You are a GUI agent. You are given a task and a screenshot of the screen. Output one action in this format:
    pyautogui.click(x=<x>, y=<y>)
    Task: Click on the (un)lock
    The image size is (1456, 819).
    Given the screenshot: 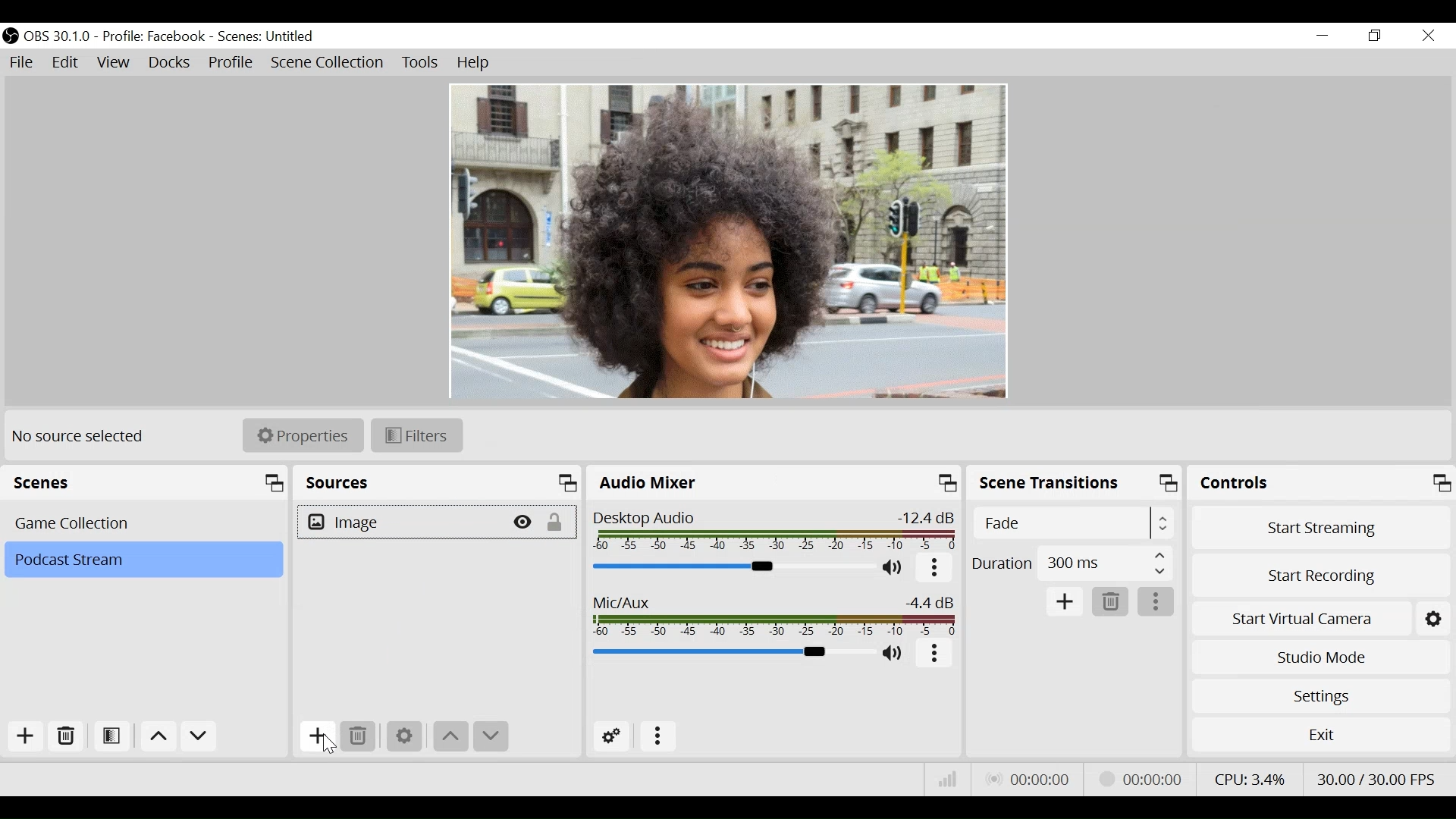 What is the action you would take?
    pyautogui.click(x=559, y=522)
    